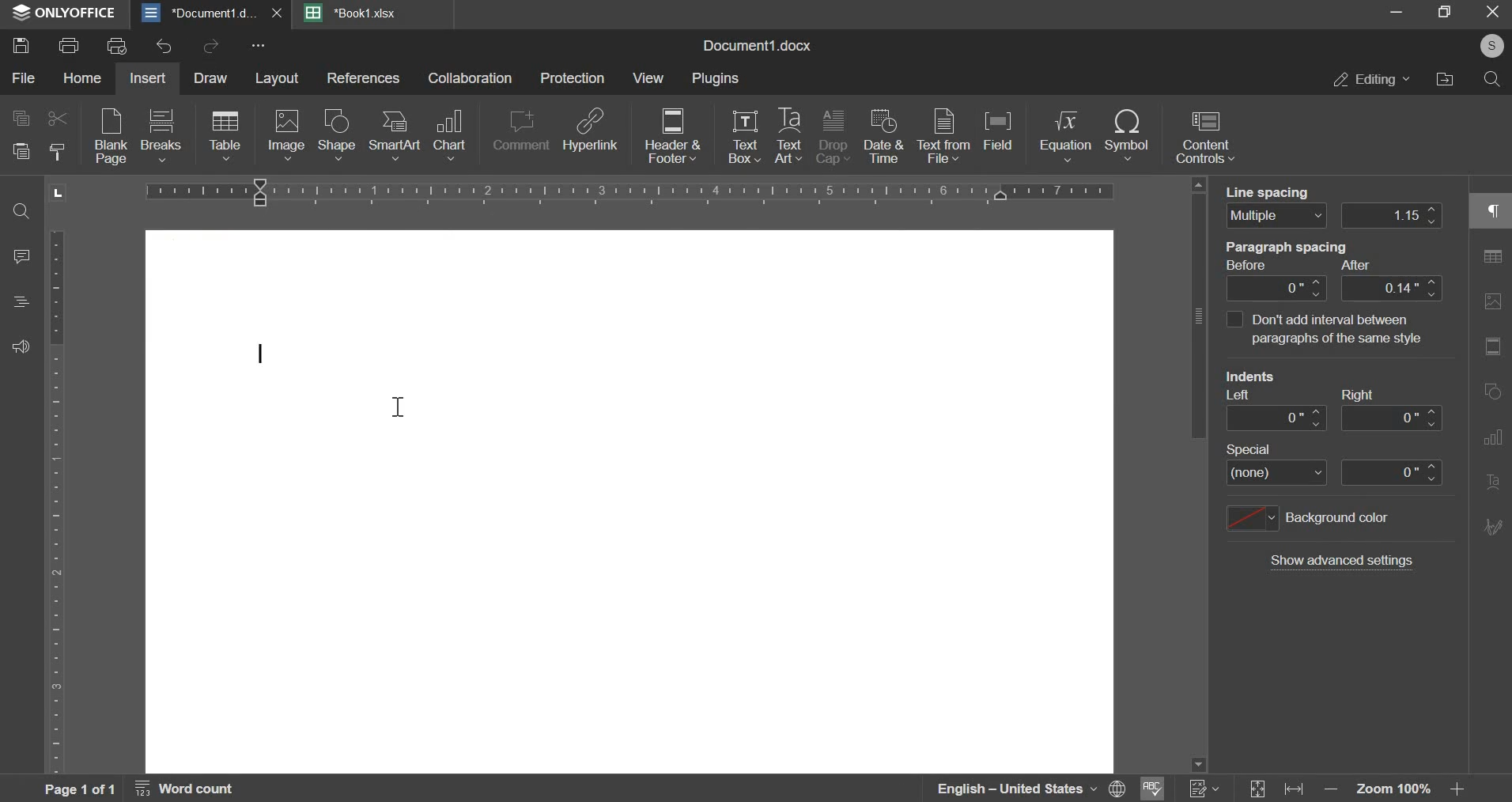 The width and height of the screenshot is (1512, 802). Describe the element at coordinates (833, 138) in the screenshot. I see `drop cap` at that location.